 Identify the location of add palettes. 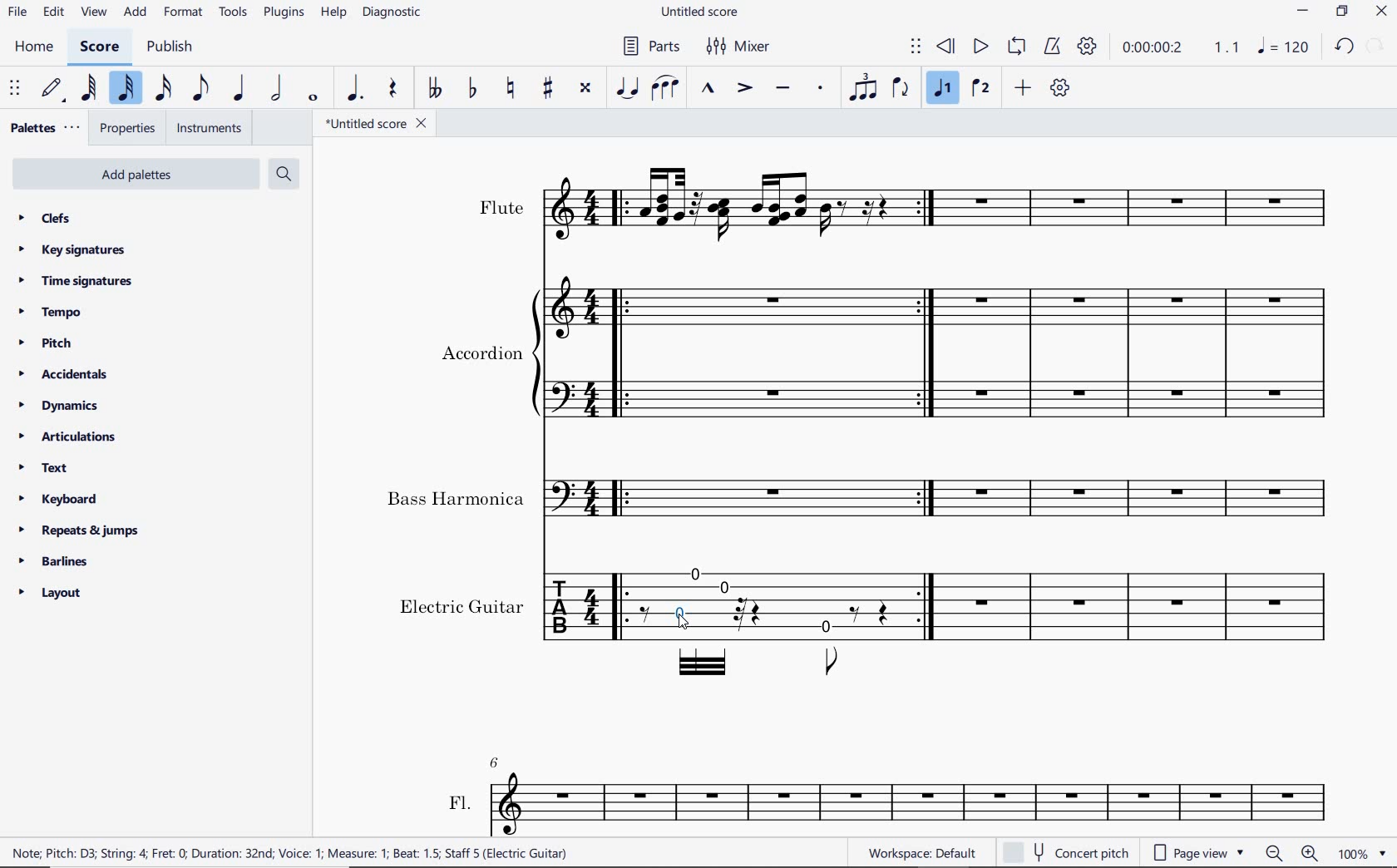
(134, 174).